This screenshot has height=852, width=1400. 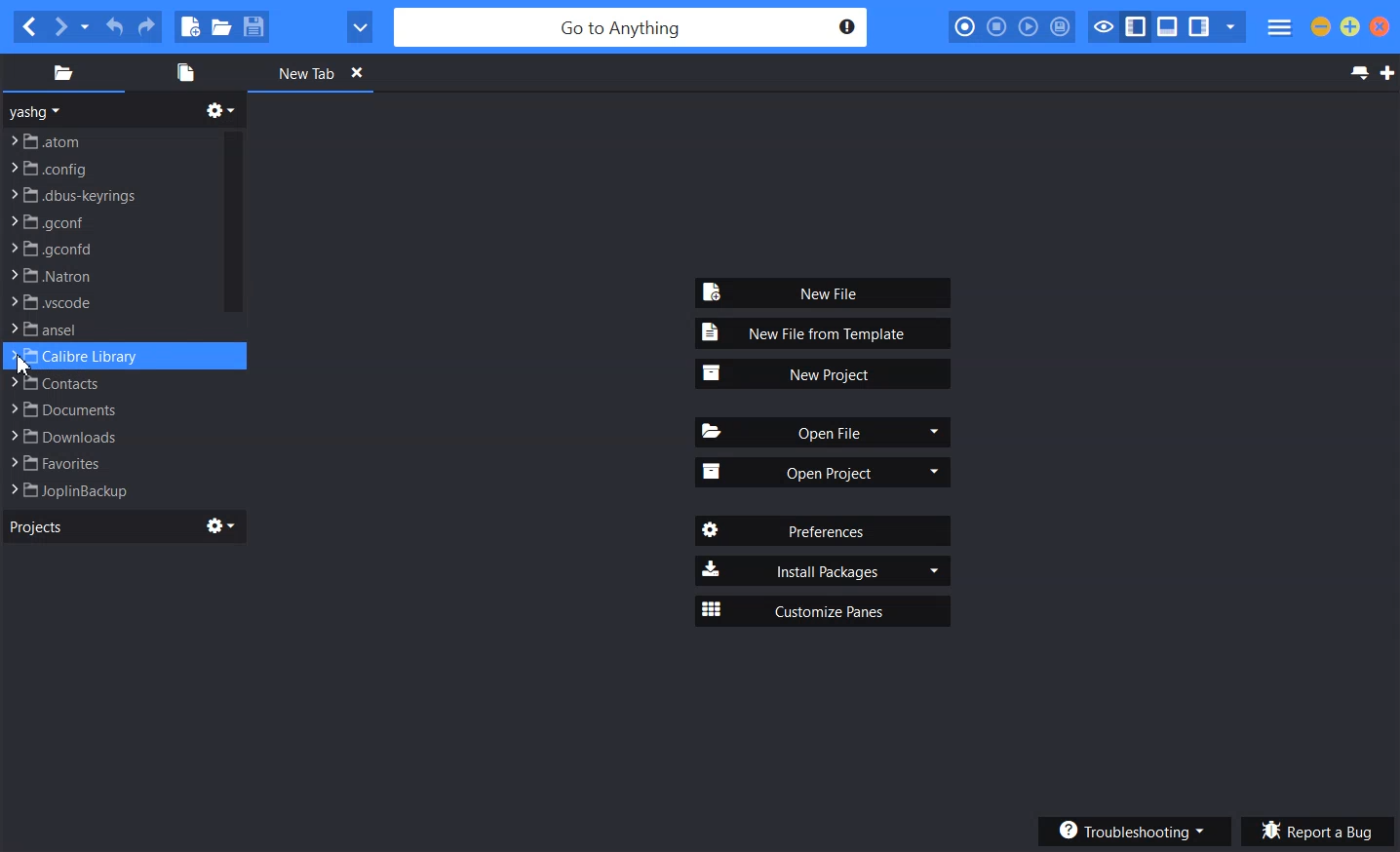 I want to click on Show/hide bottom pane, so click(x=1168, y=27).